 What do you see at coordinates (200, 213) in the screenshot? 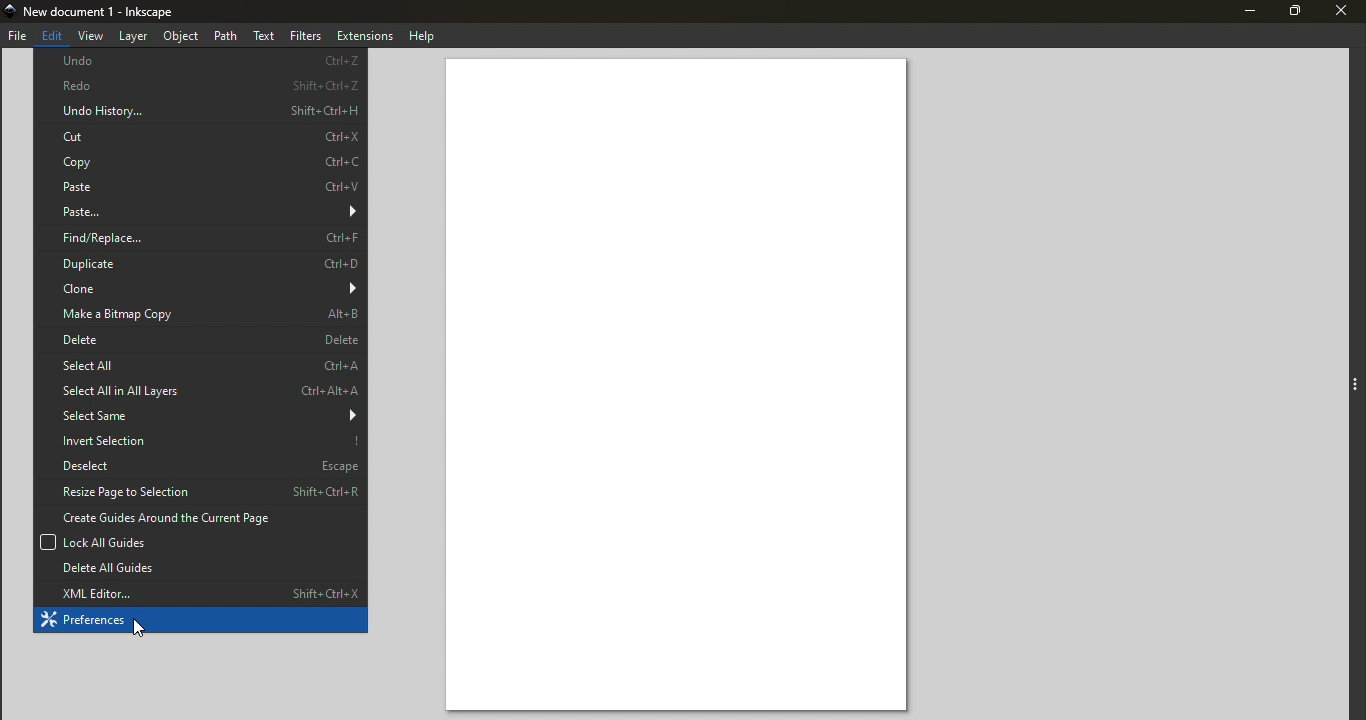
I see `Paste` at bounding box center [200, 213].